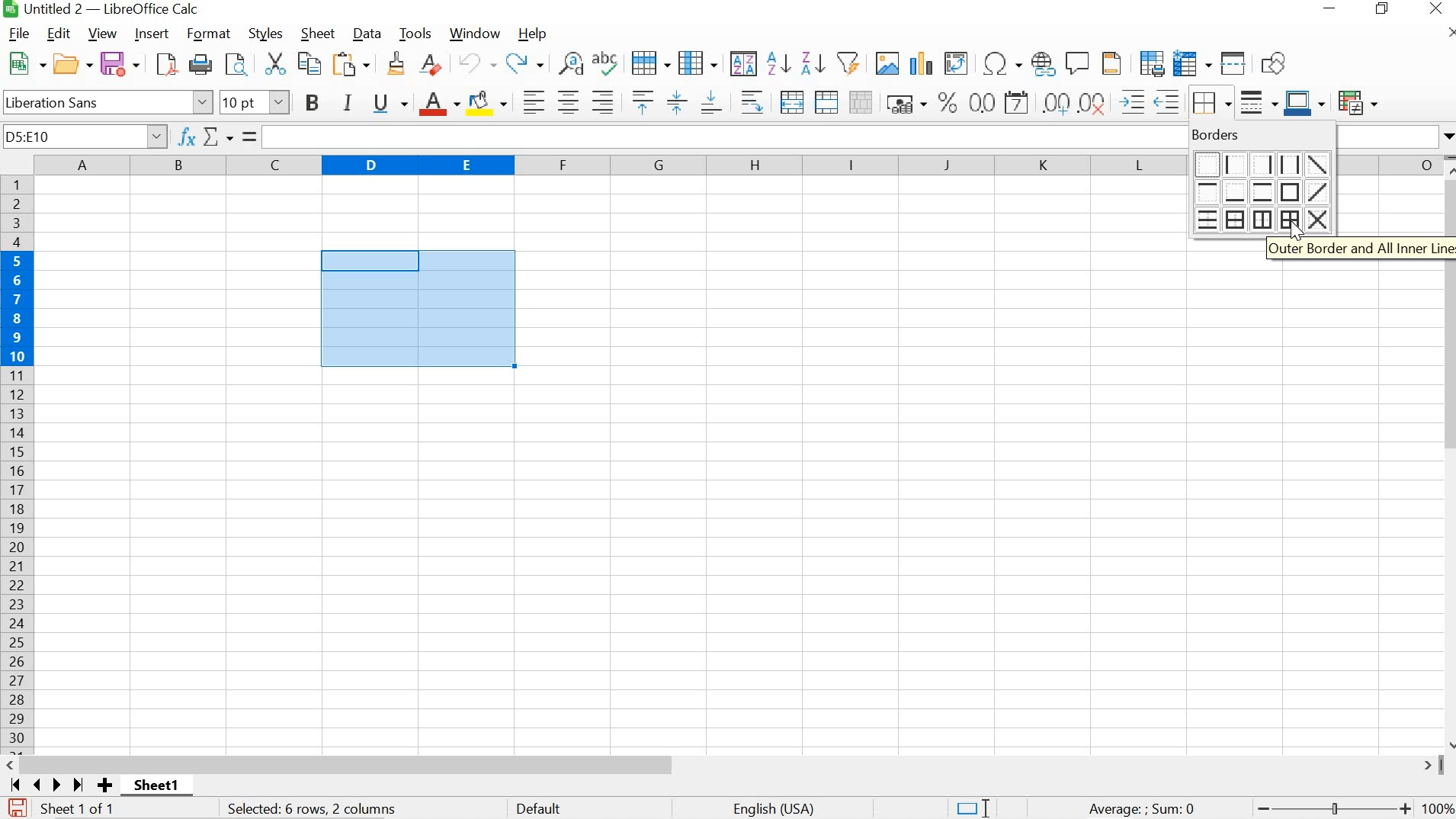 The image size is (1456, 819). I want to click on zoom factor, so click(1438, 810).